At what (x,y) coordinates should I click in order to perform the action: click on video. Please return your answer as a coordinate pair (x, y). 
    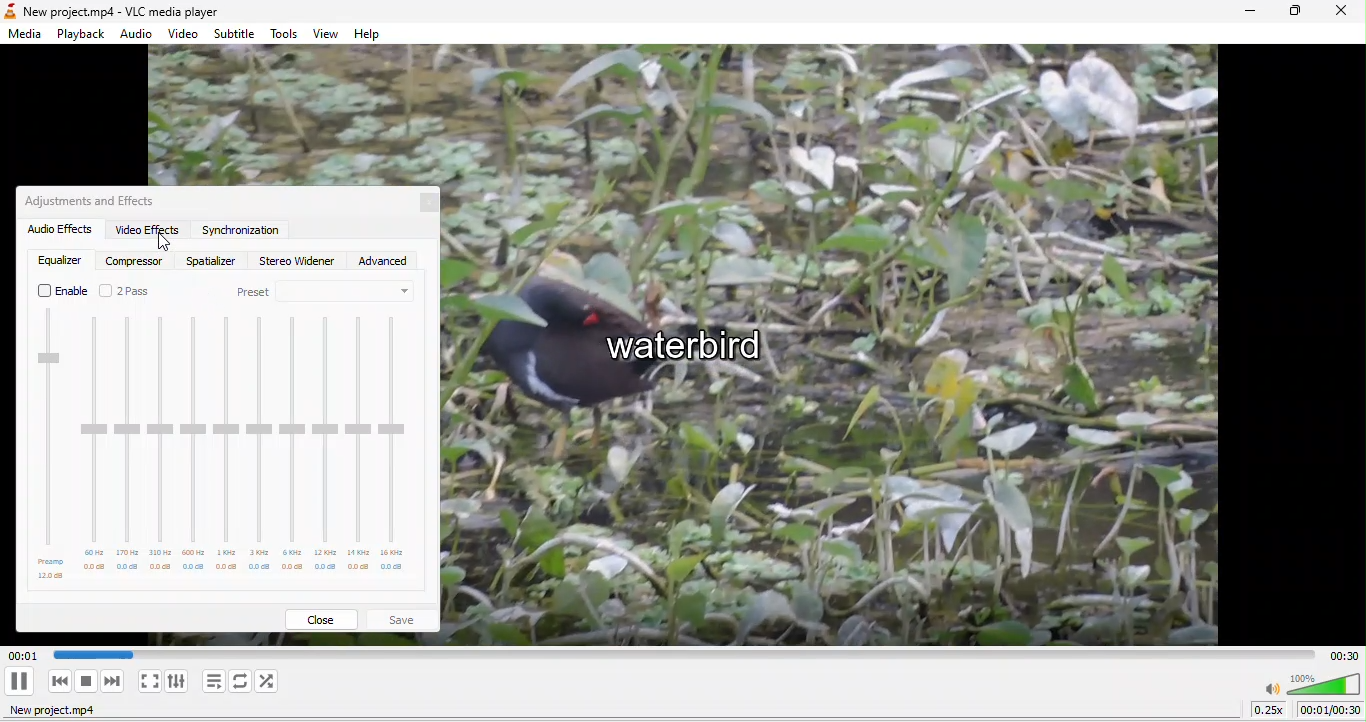
    Looking at the image, I should click on (182, 34).